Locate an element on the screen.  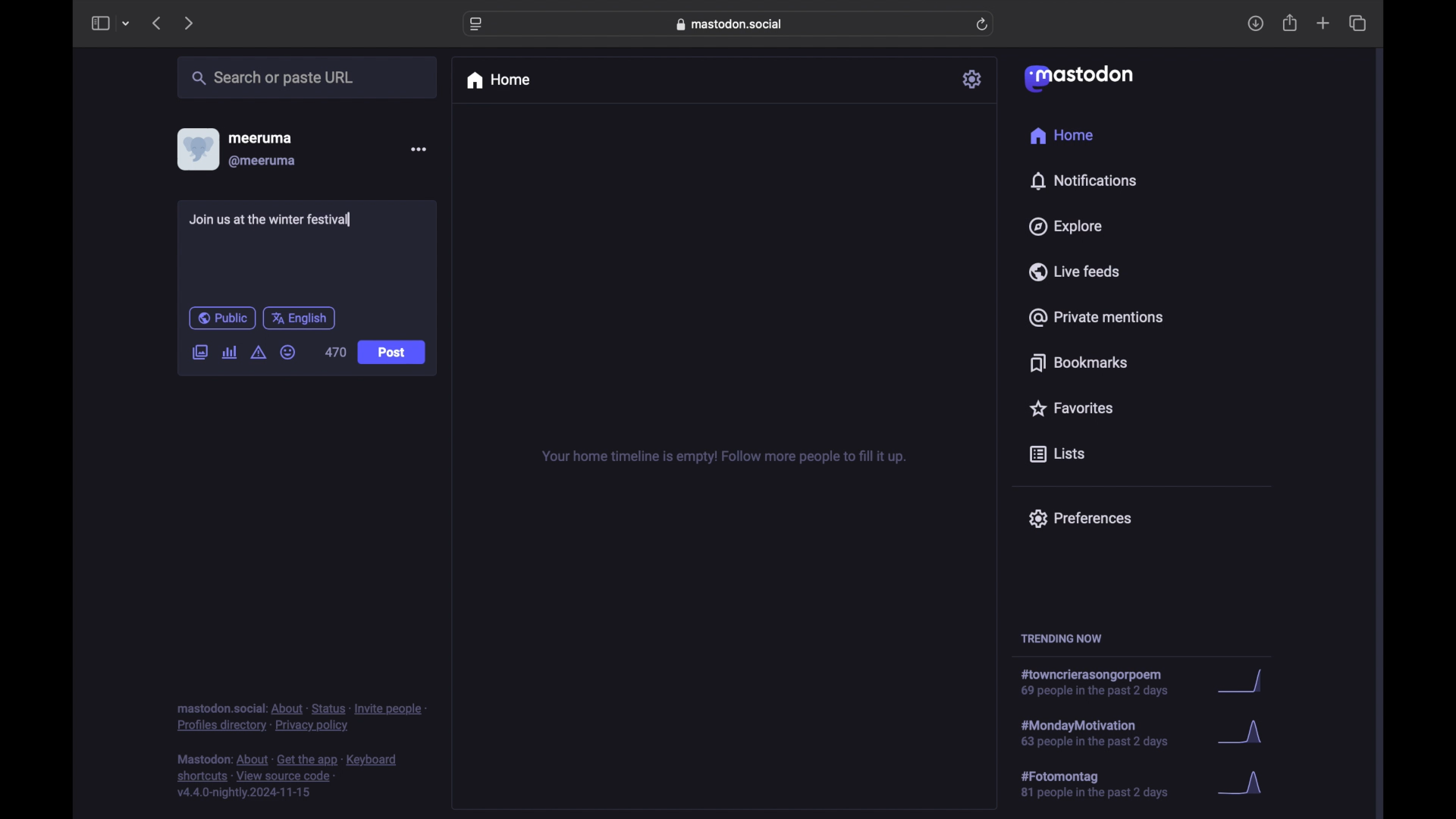
meeruma is located at coordinates (260, 137).